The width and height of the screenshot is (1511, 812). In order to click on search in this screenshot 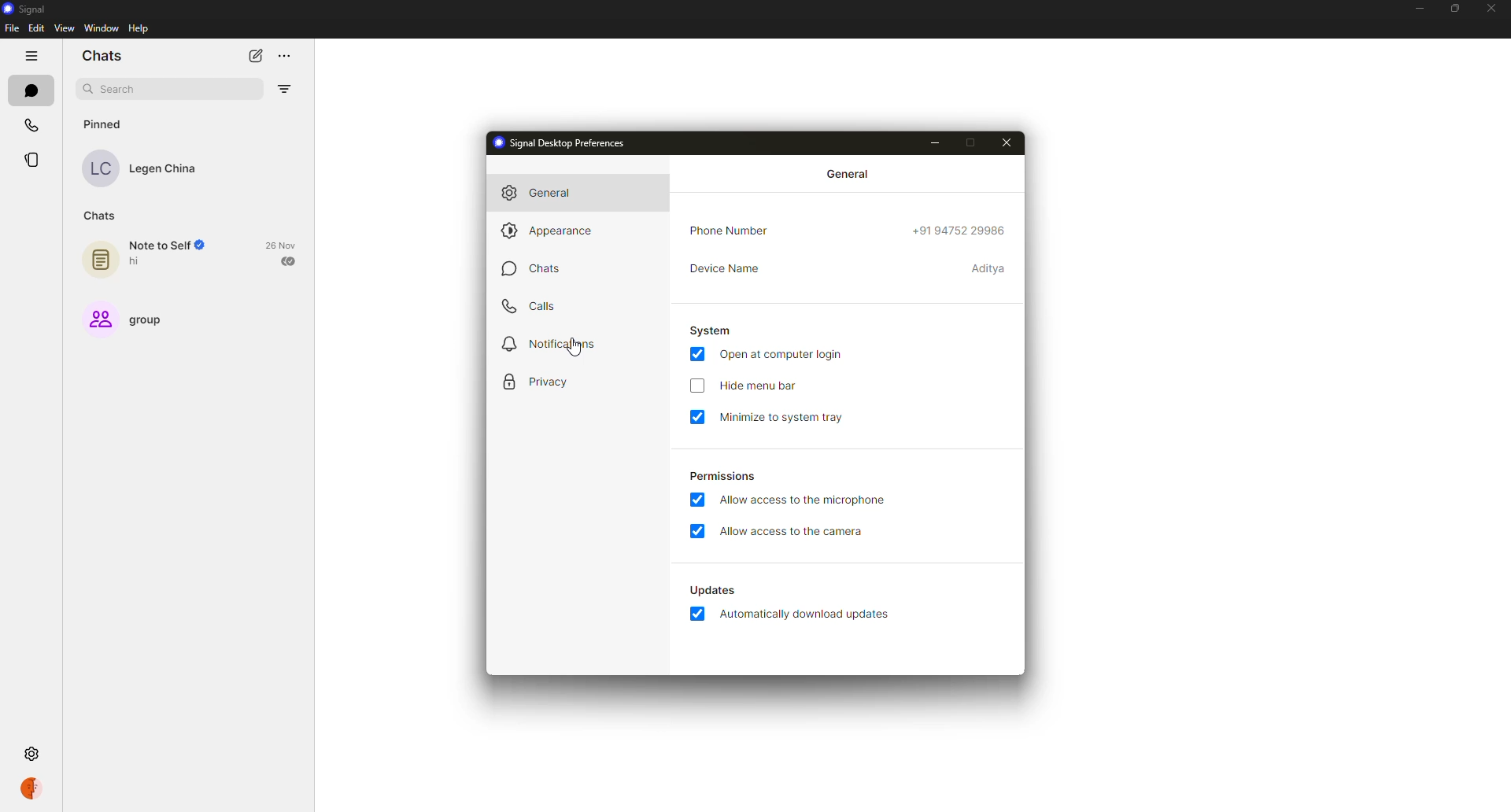, I will do `click(110, 87)`.